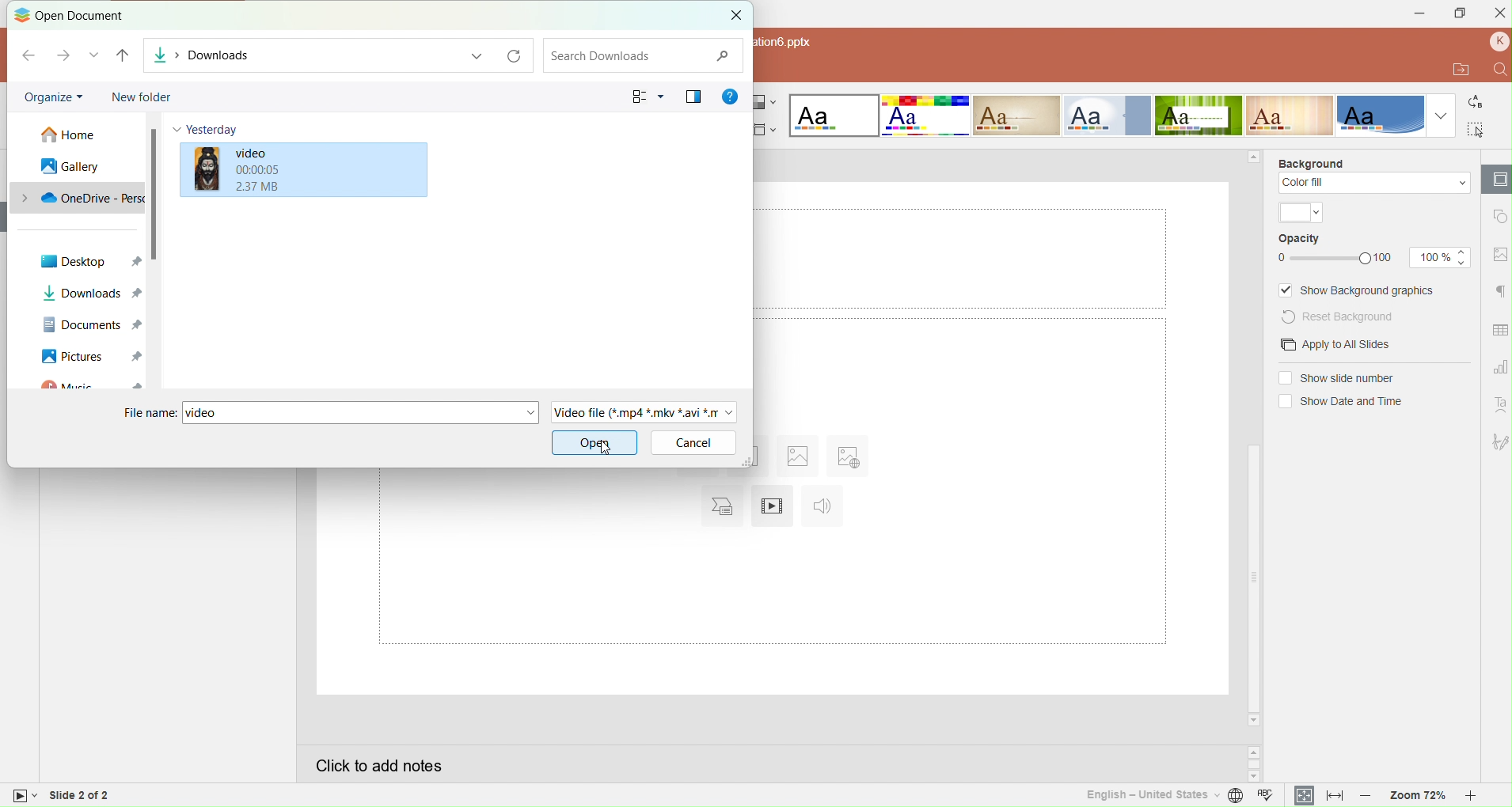 This screenshot has height=807, width=1512. What do you see at coordinates (63, 166) in the screenshot?
I see `Gallery` at bounding box center [63, 166].